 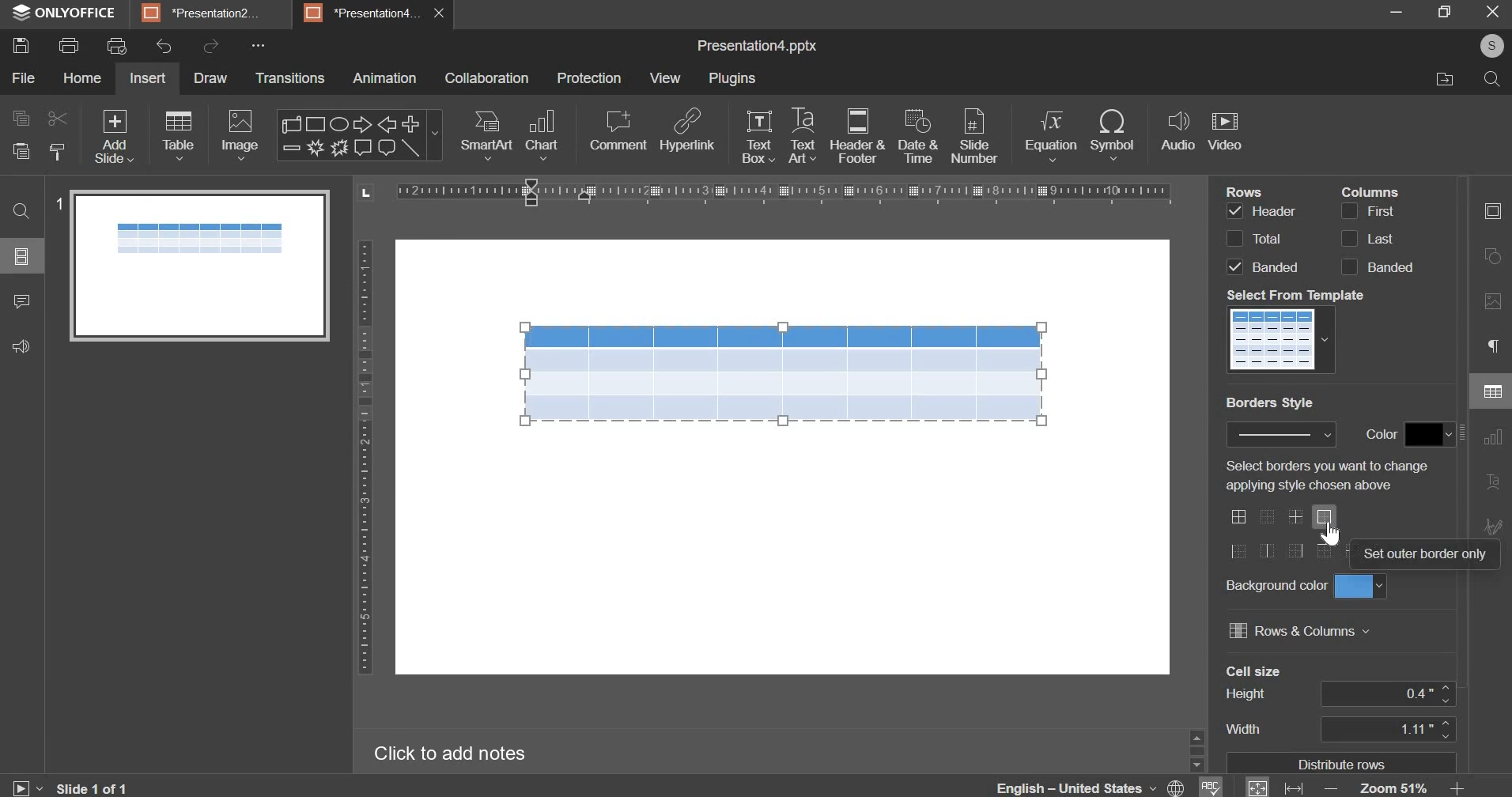 What do you see at coordinates (91, 788) in the screenshot?
I see `slide 1 of 1` at bounding box center [91, 788].